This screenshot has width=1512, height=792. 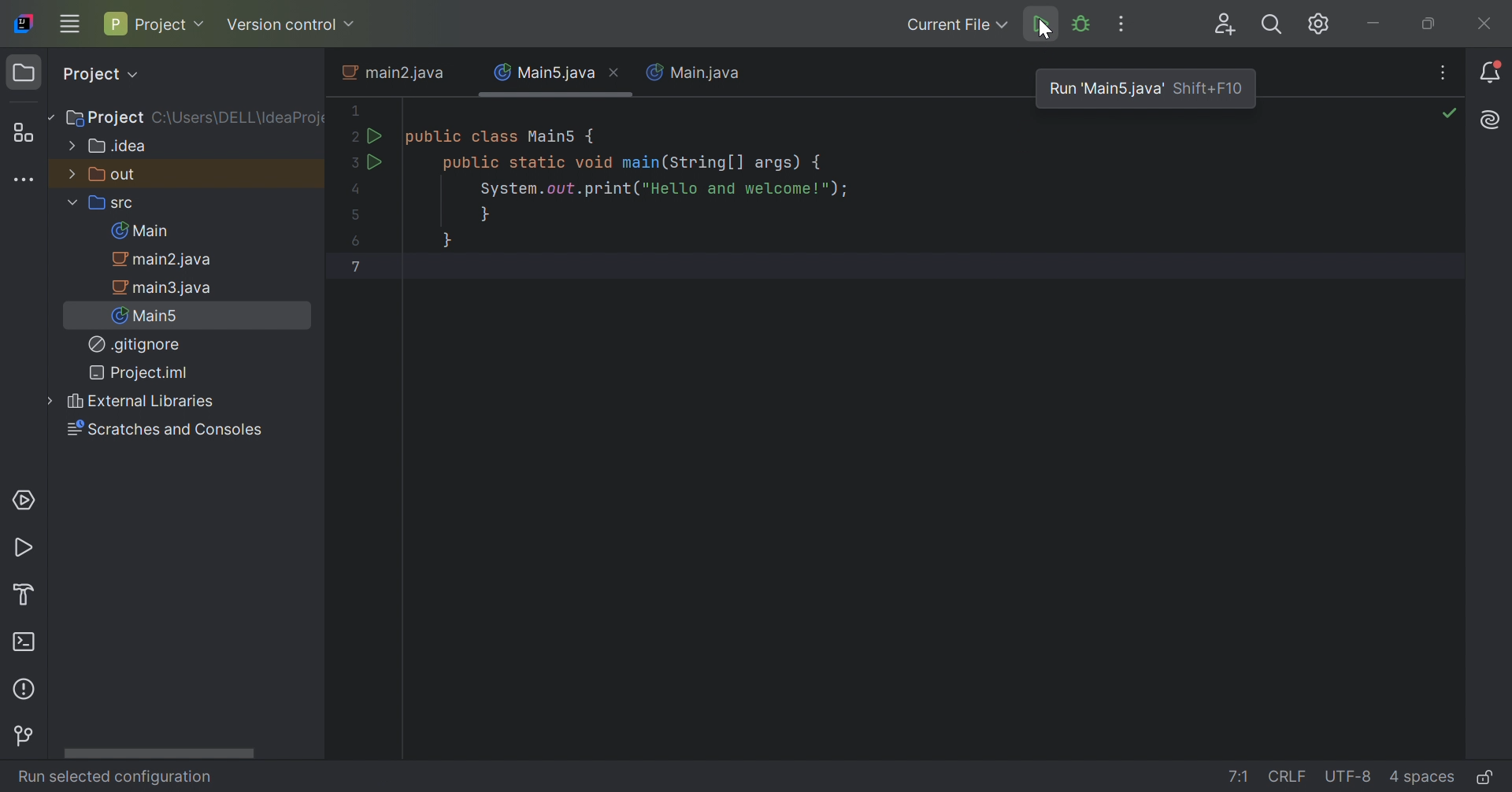 I want to click on Current File, so click(x=954, y=24).